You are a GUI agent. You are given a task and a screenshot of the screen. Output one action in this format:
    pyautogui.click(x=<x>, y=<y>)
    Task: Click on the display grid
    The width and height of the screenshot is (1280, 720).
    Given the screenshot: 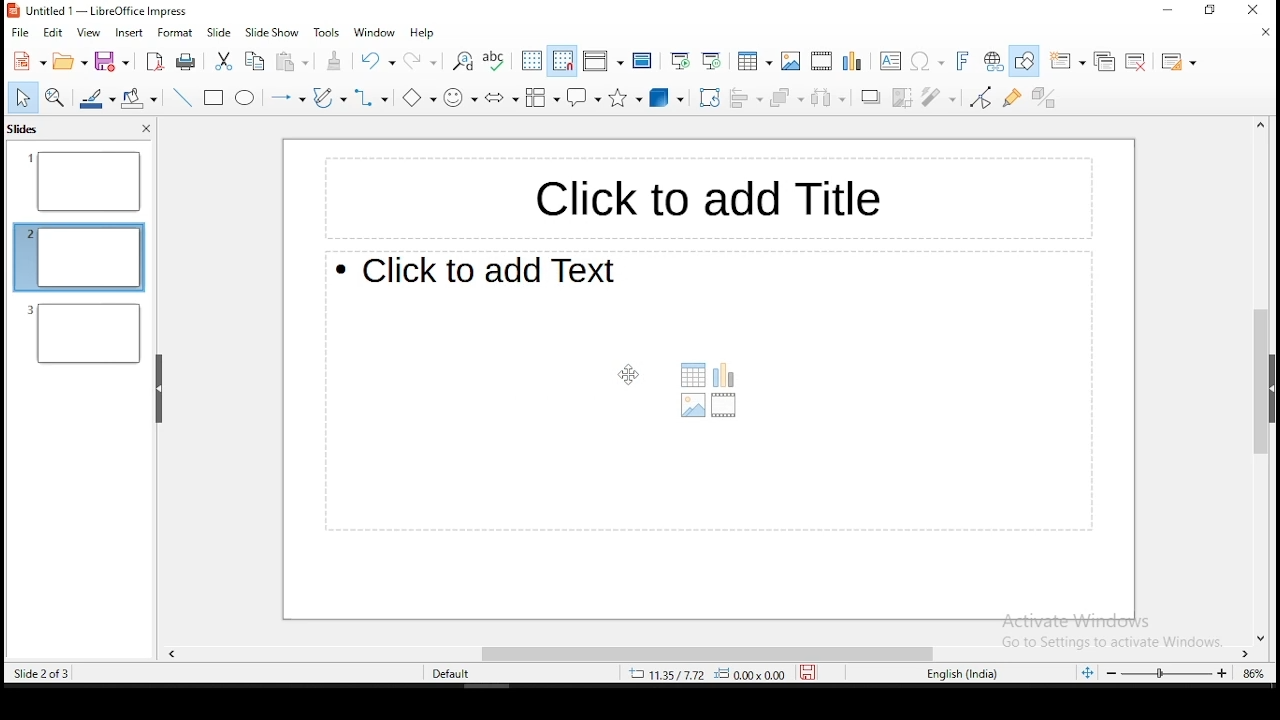 What is the action you would take?
    pyautogui.click(x=532, y=62)
    